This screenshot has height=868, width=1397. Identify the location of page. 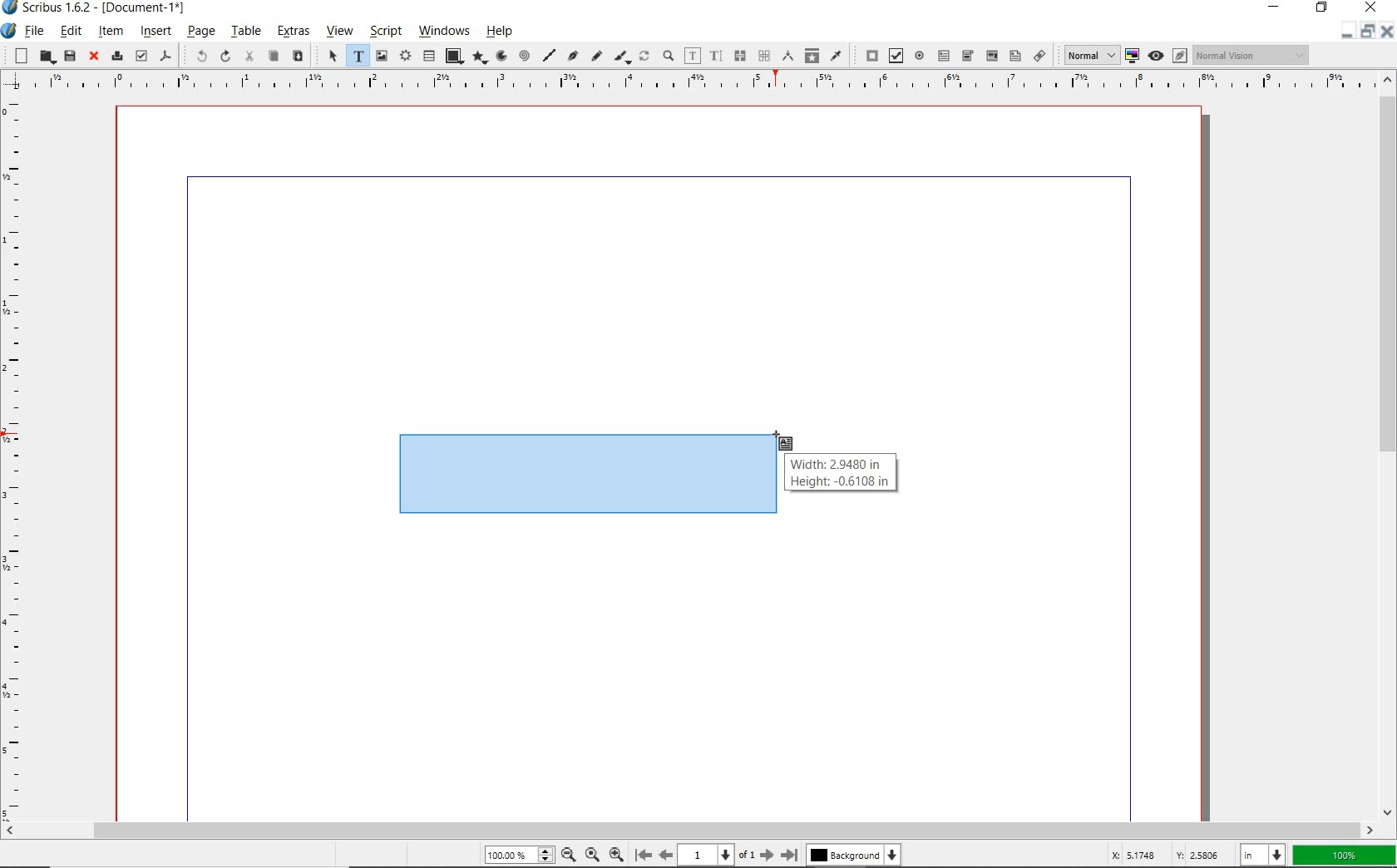
(200, 32).